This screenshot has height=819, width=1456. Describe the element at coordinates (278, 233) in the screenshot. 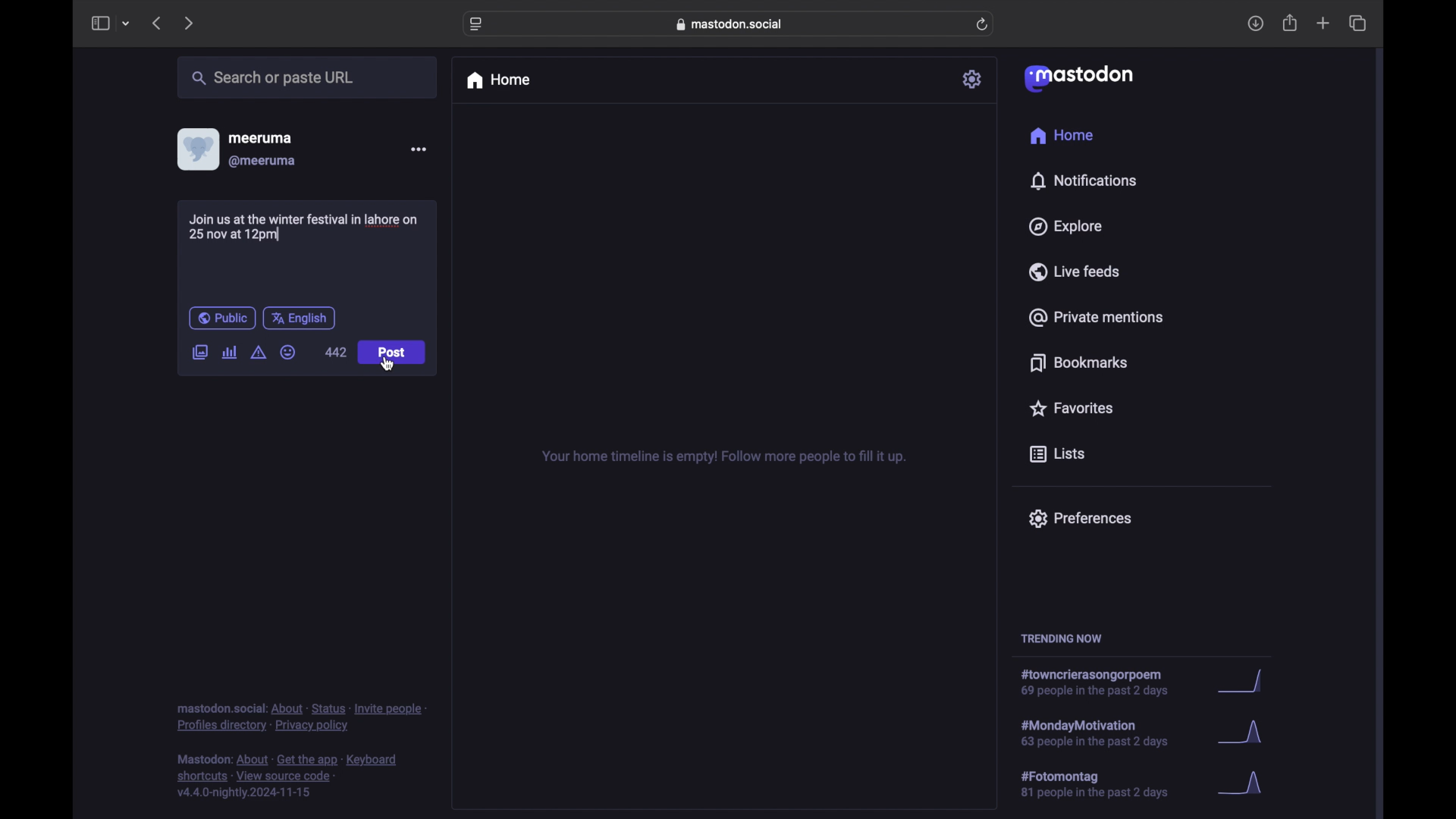

I see `text cursor` at that location.